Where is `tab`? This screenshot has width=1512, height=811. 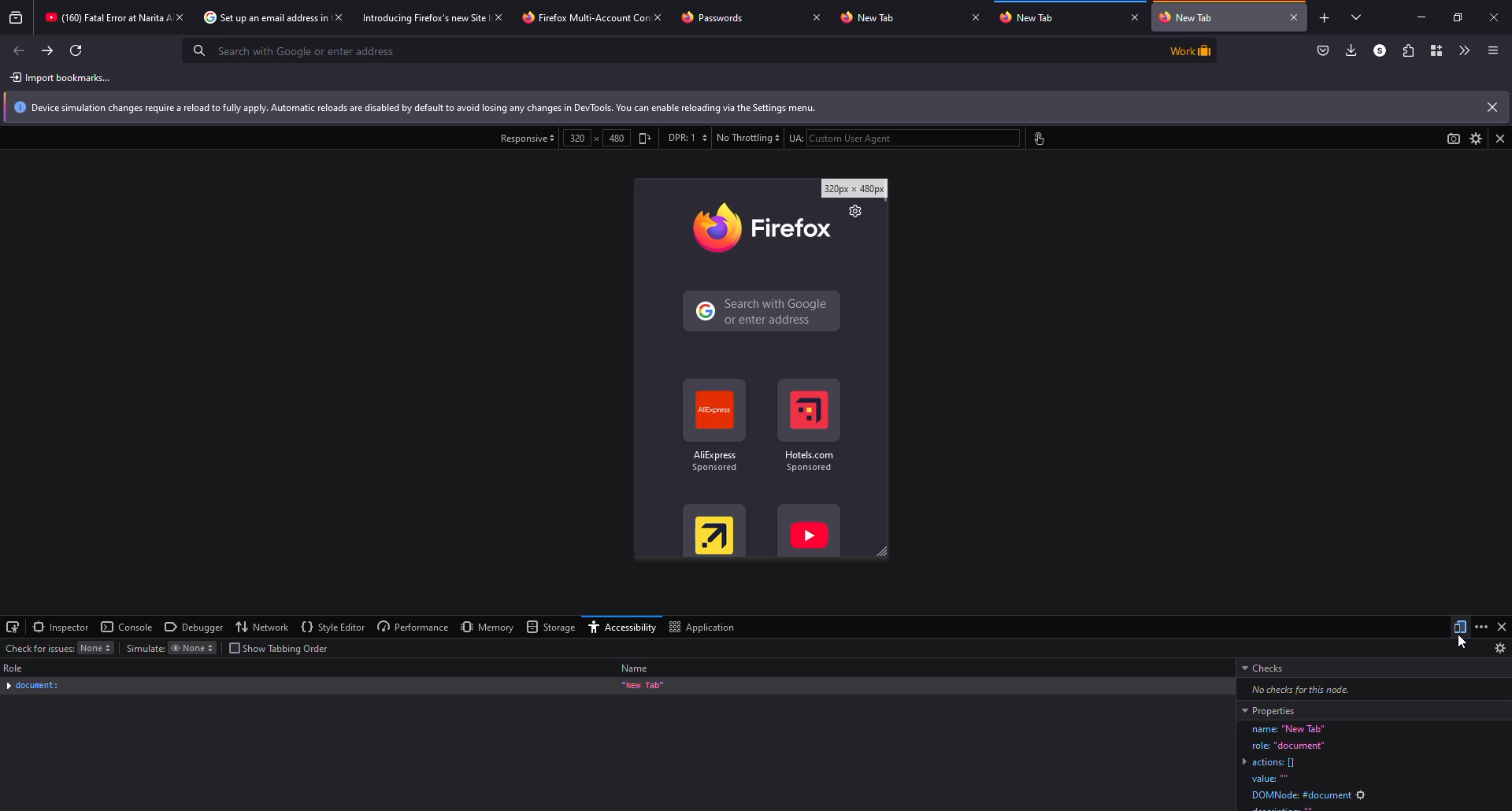
tab is located at coordinates (420, 19).